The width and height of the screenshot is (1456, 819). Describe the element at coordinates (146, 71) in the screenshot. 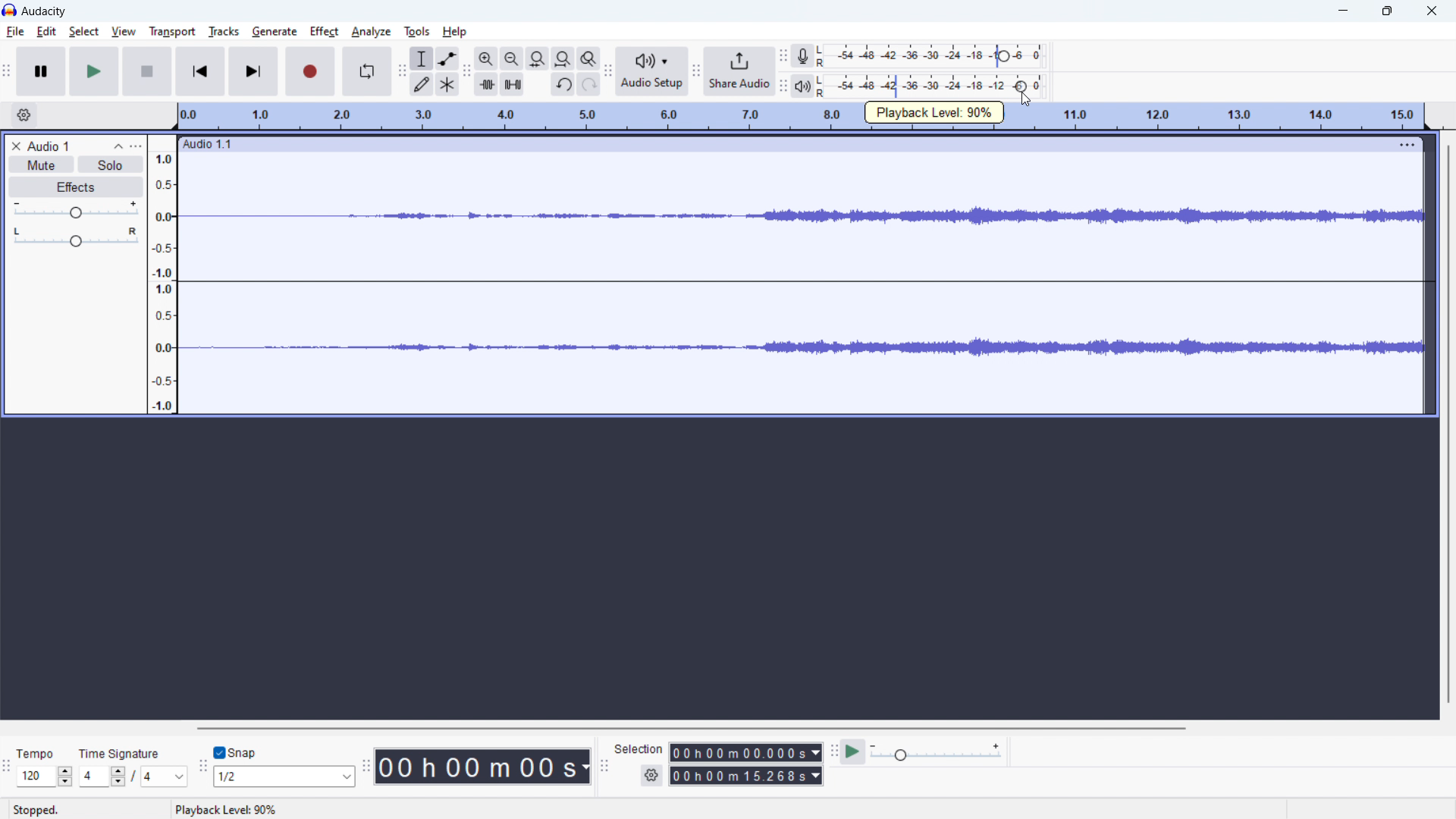

I see `stop` at that location.